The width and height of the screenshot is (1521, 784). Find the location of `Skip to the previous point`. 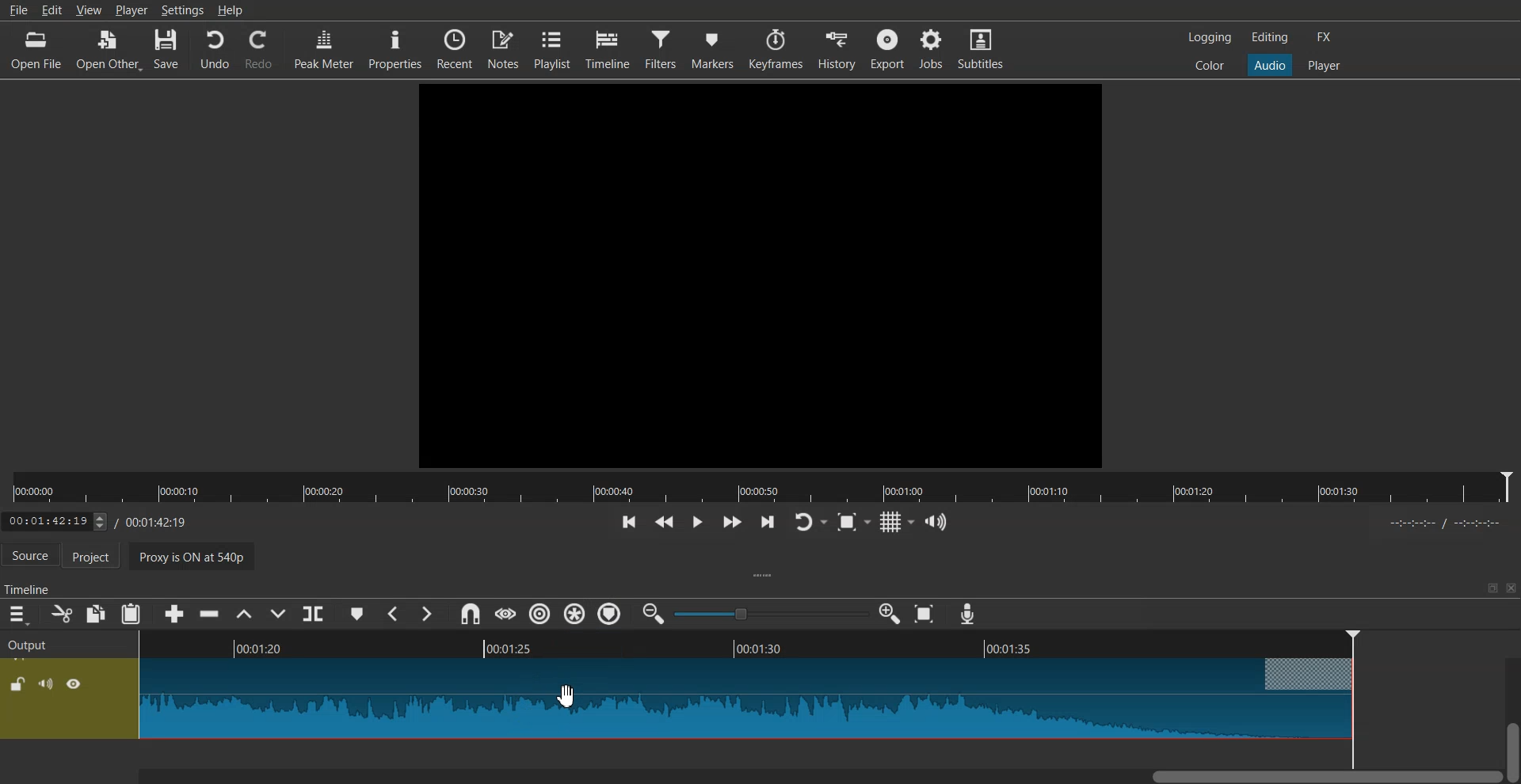

Skip to the previous point is located at coordinates (627, 521).